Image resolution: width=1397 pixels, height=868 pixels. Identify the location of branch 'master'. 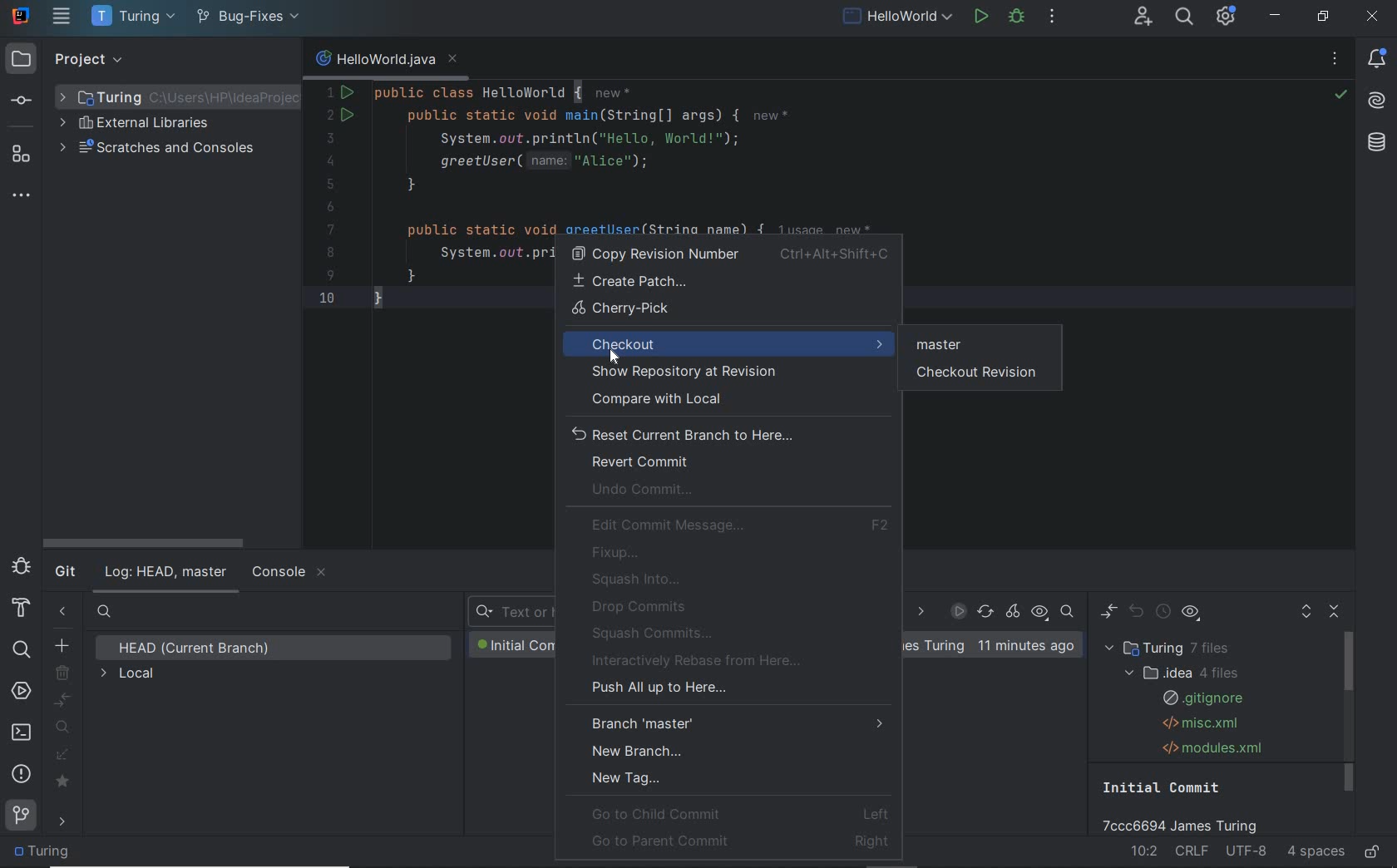
(738, 723).